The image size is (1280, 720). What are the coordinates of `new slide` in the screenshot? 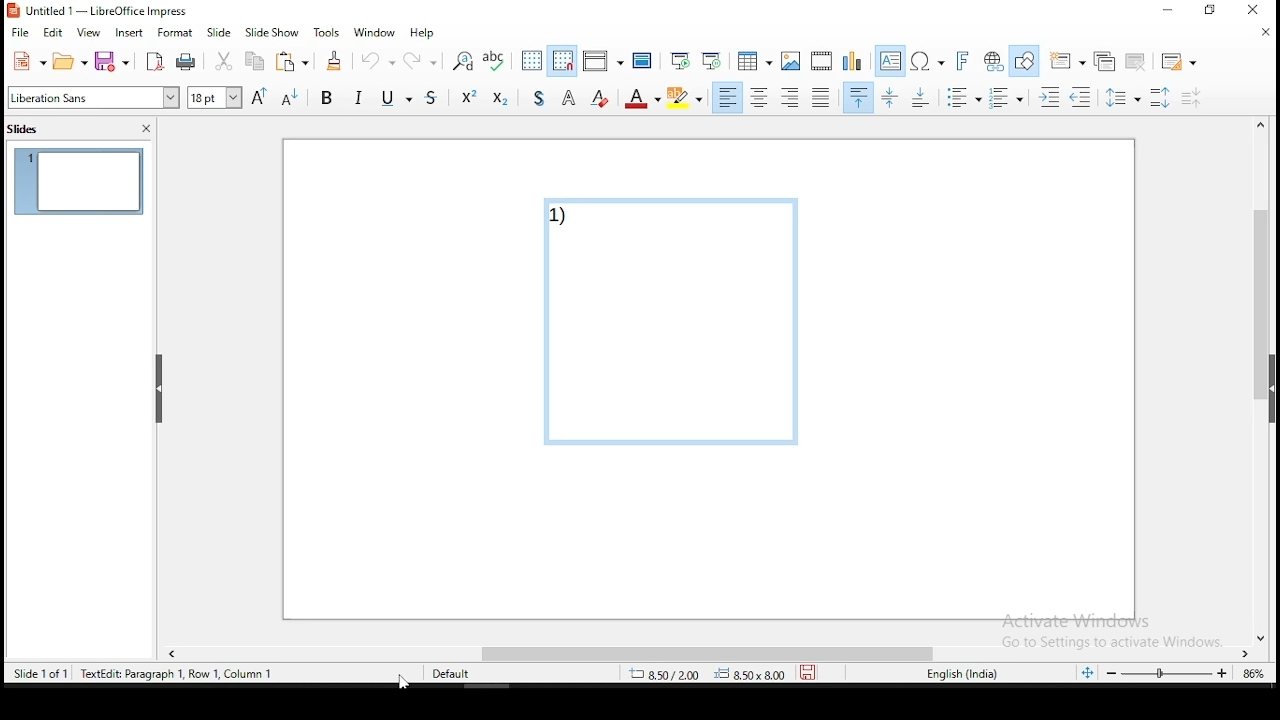 It's located at (1066, 60).